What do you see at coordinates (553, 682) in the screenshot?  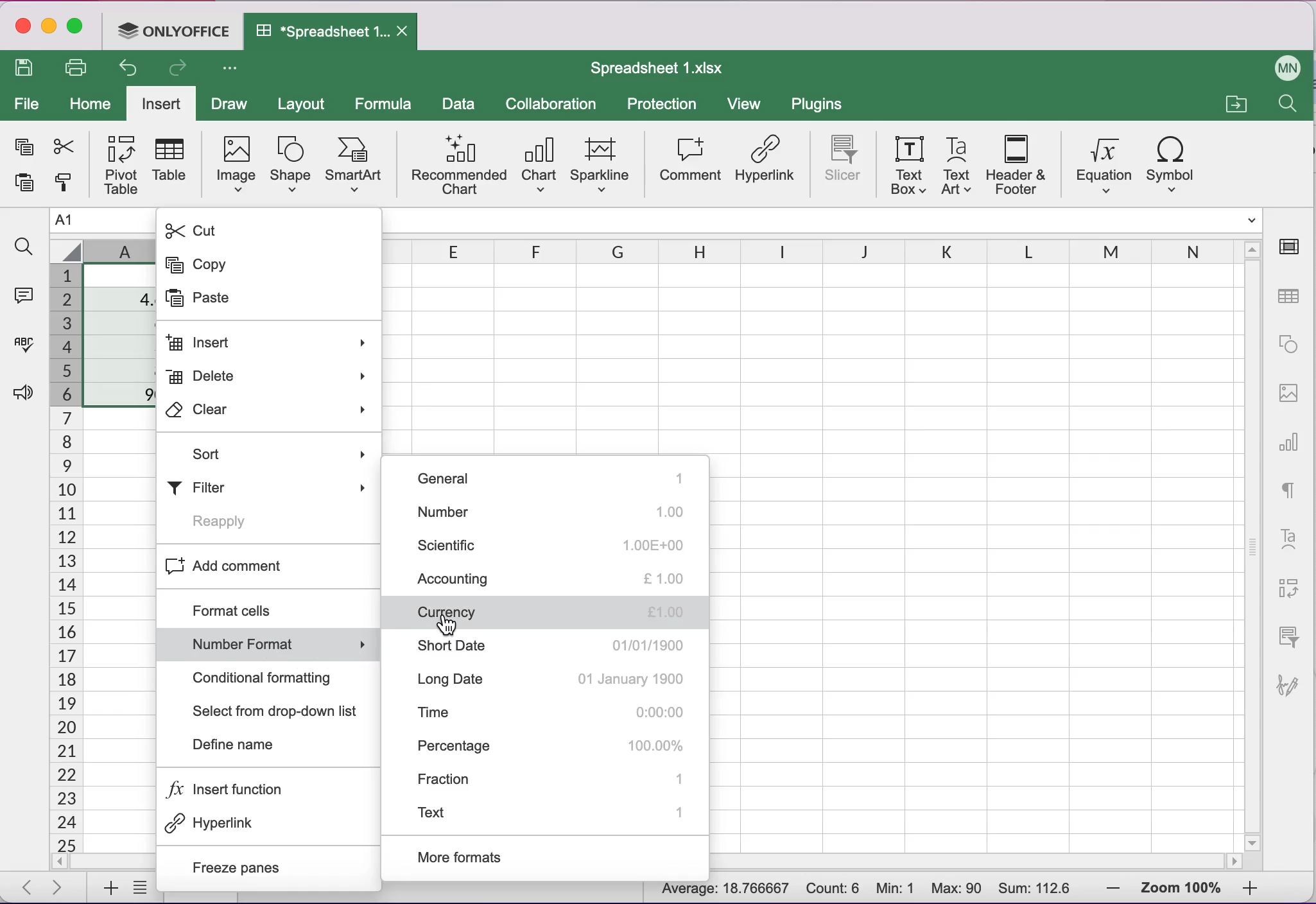 I see `long date` at bounding box center [553, 682].